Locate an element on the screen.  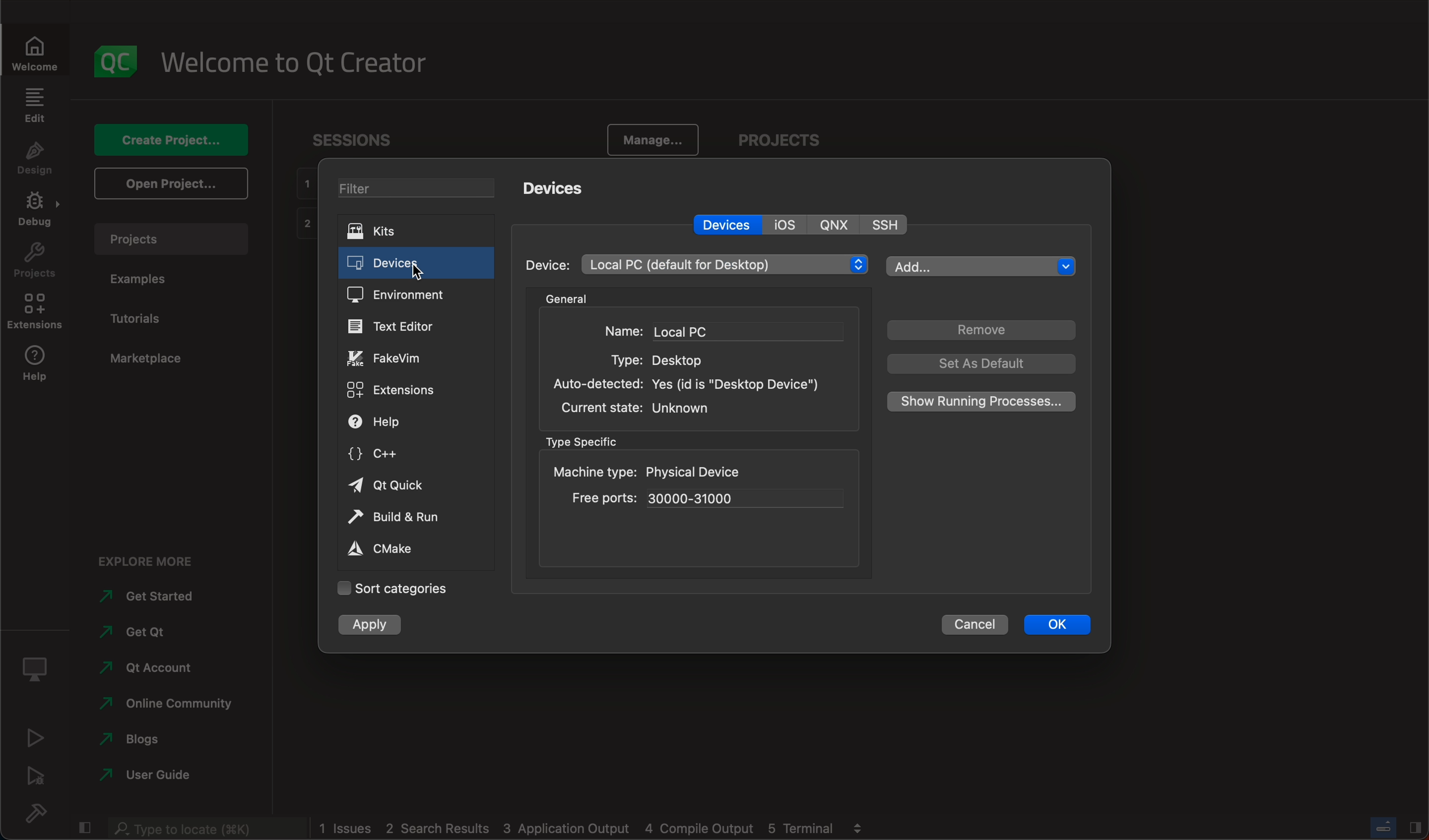
Hide/Show left sidebar is located at coordinates (87, 828).